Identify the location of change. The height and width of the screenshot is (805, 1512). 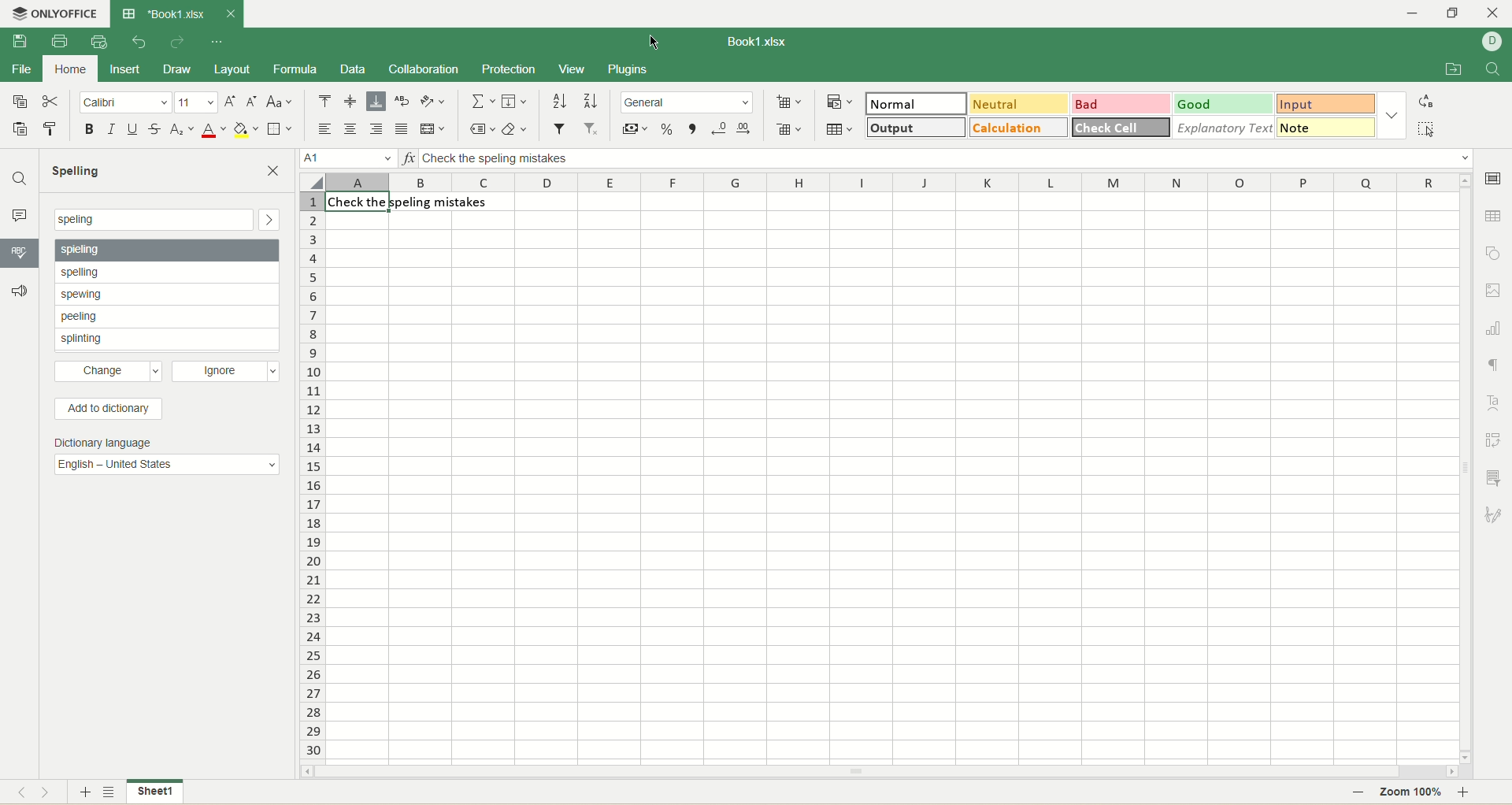
(106, 373).